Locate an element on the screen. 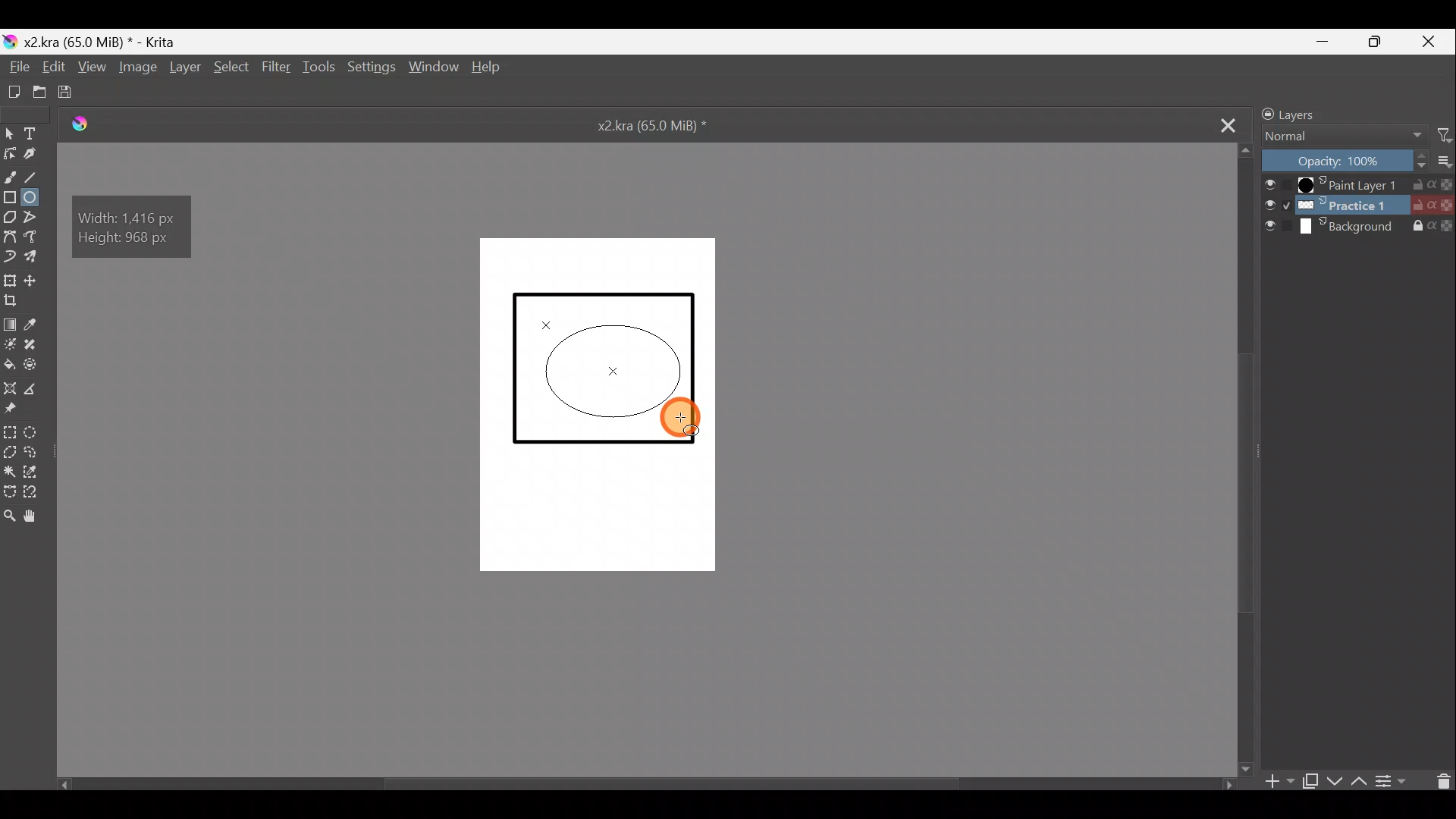  Edit is located at coordinates (56, 68).